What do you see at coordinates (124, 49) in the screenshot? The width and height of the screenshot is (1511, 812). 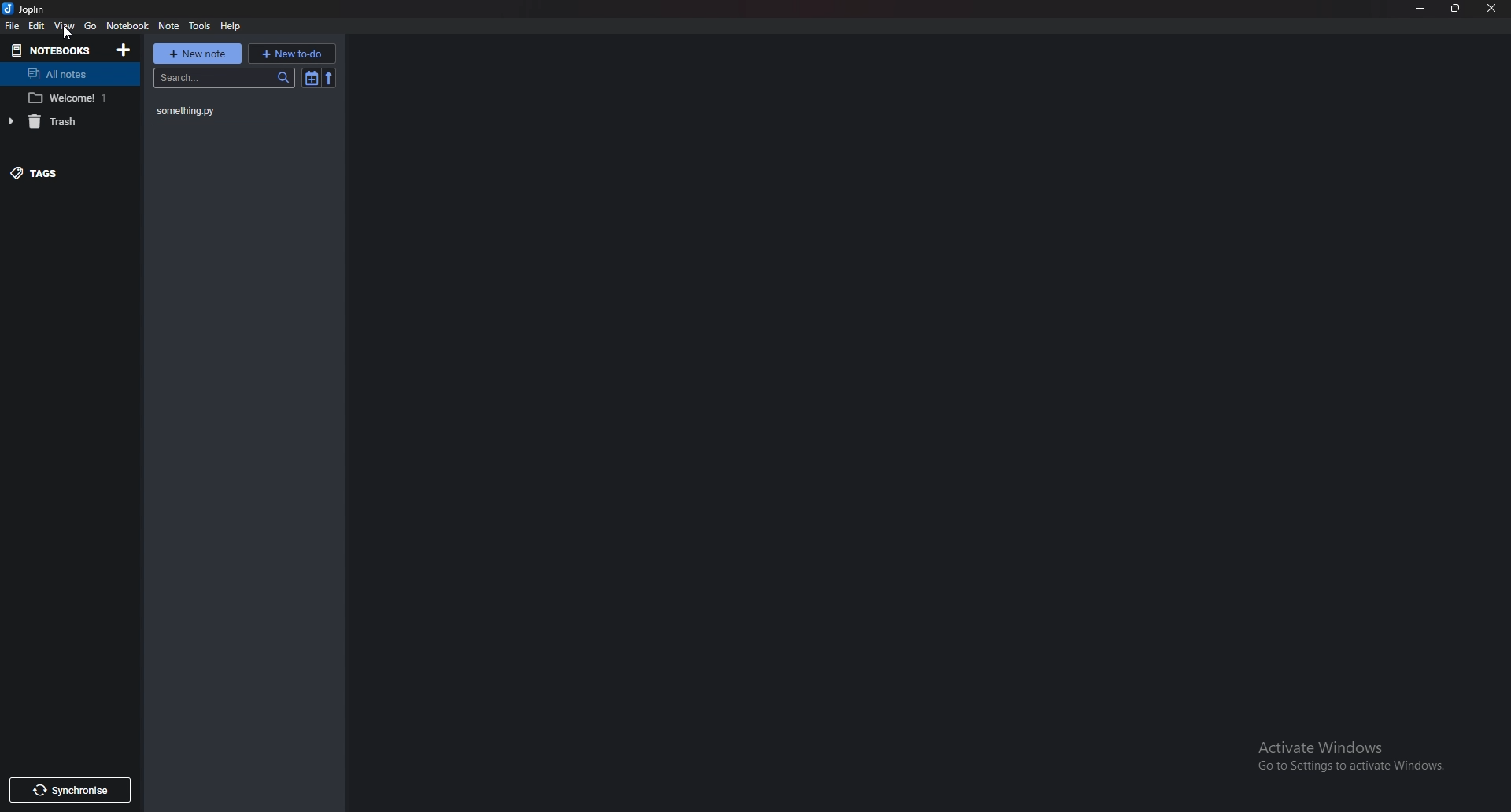 I see `Add notebooks` at bounding box center [124, 49].